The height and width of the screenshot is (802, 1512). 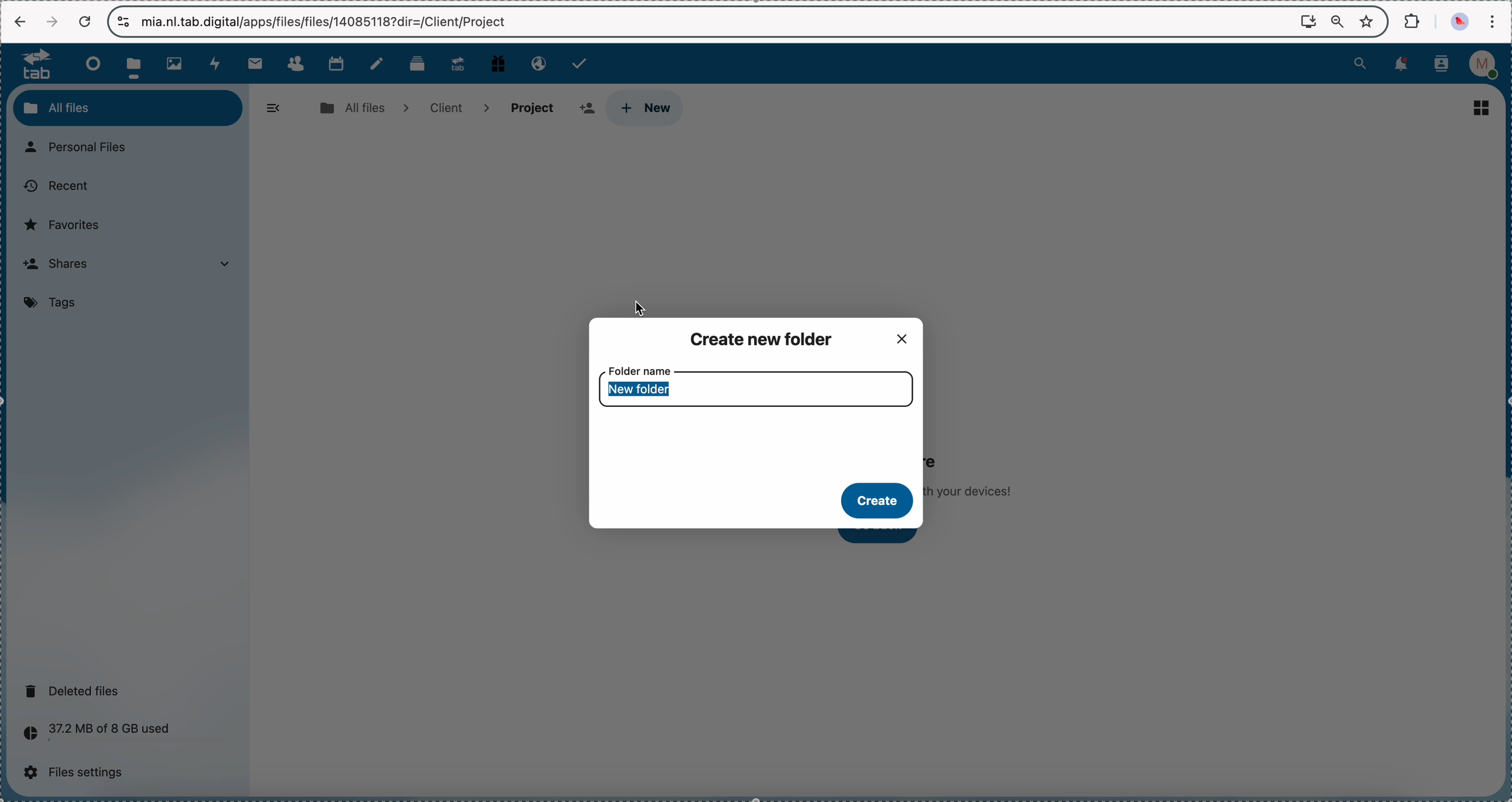 What do you see at coordinates (1442, 65) in the screenshot?
I see `contacts` at bounding box center [1442, 65].